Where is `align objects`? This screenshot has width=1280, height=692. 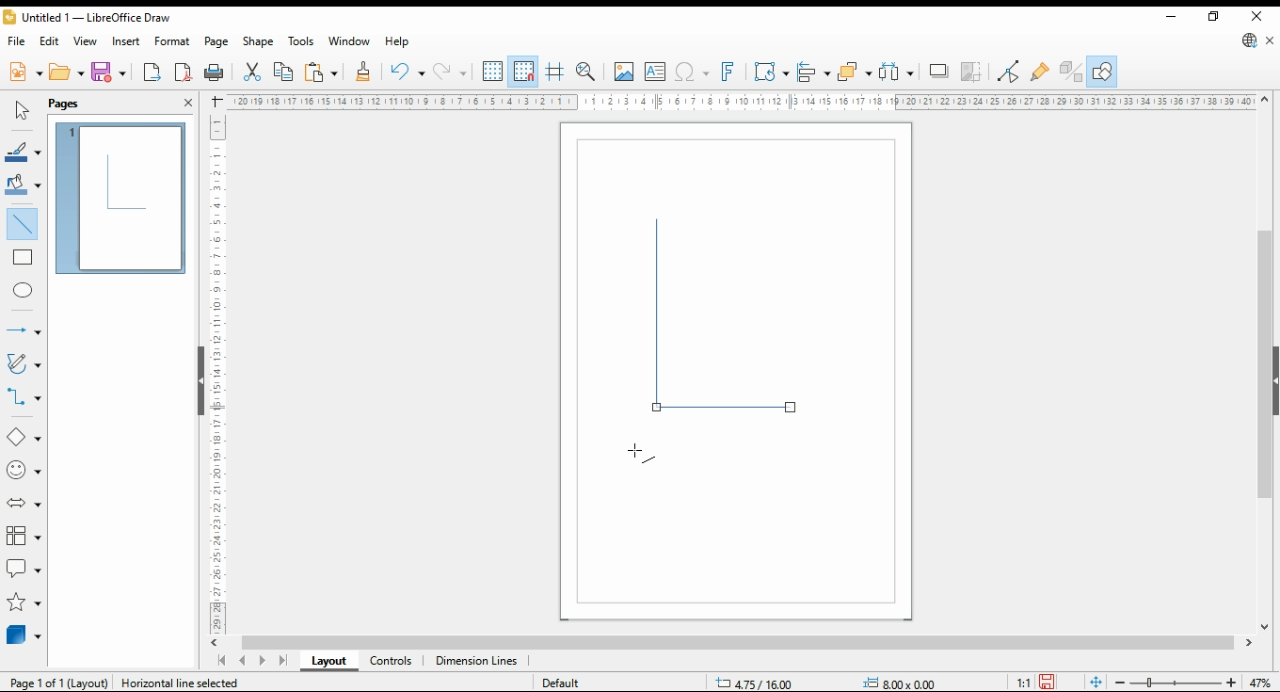 align objects is located at coordinates (814, 71).